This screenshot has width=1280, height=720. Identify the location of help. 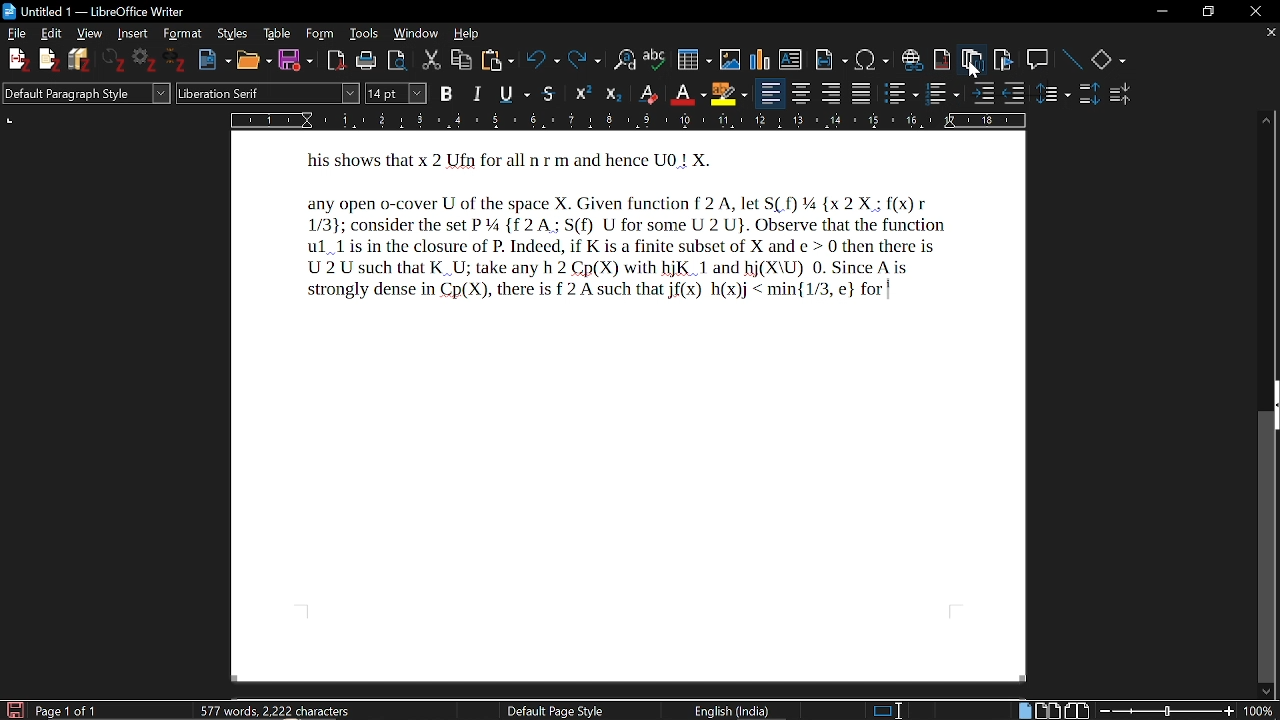
(469, 32).